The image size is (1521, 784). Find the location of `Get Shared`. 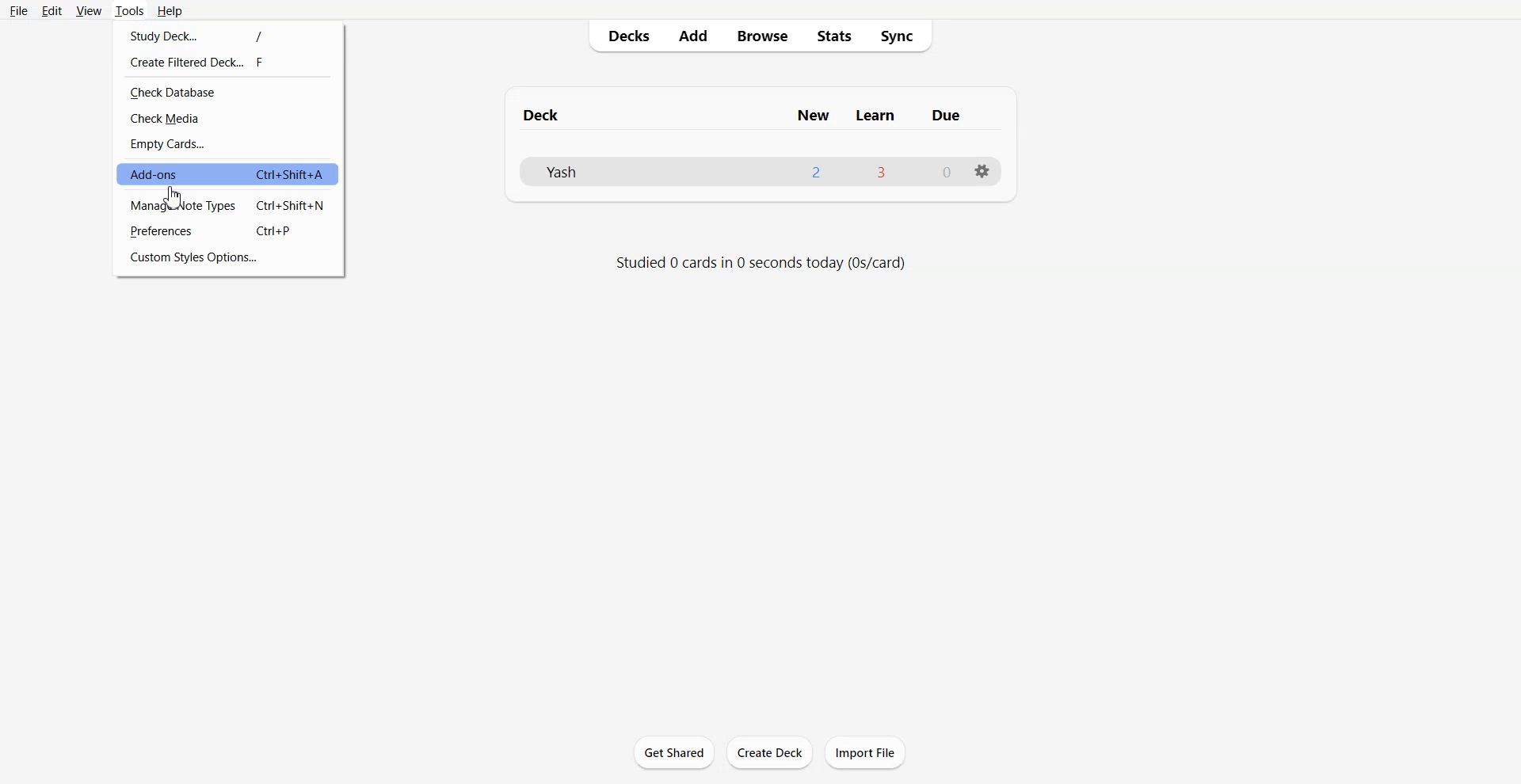

Get Shared is located at coordinates (674, 752).